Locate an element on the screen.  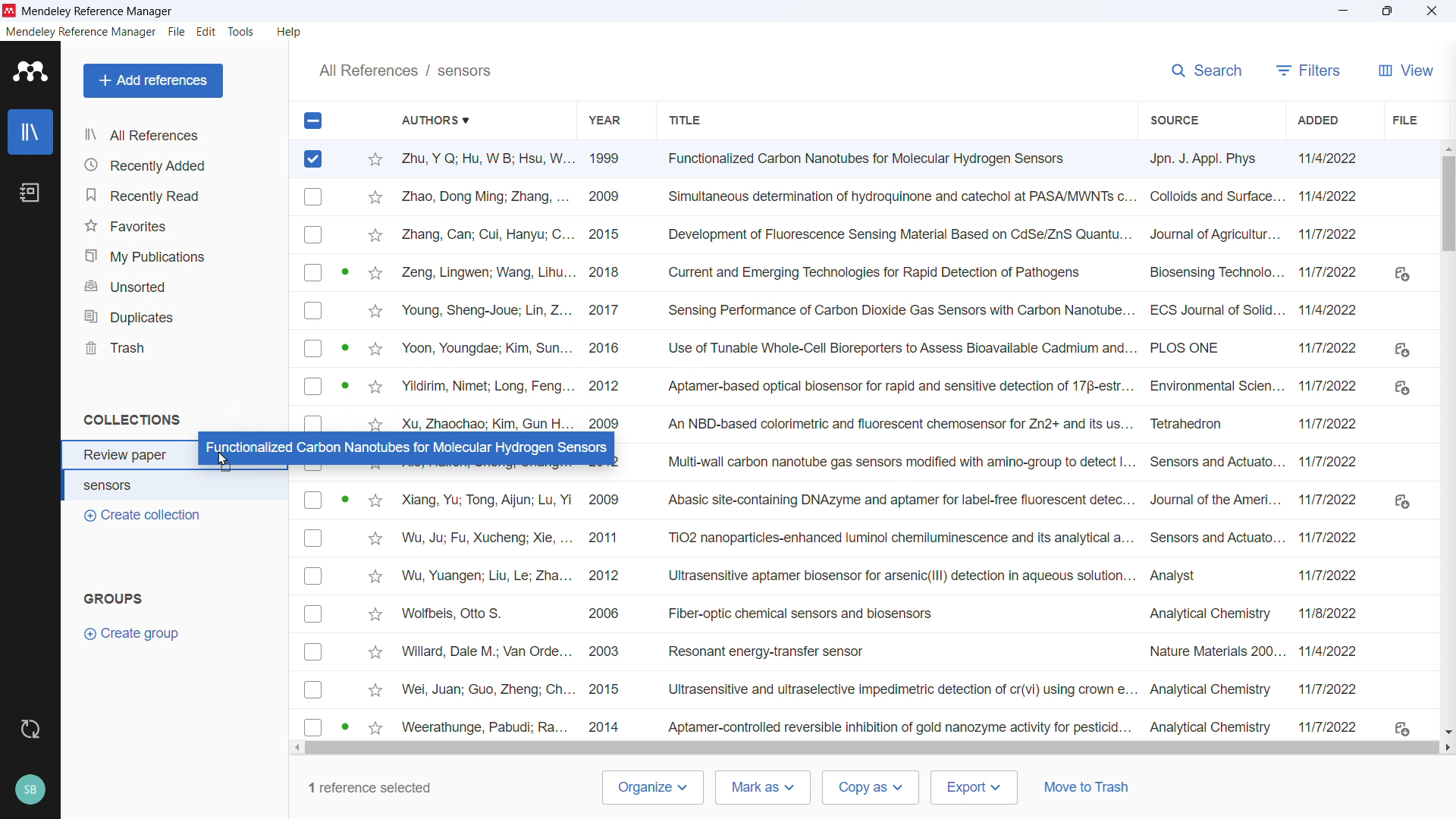
Recently added  is located at coordinates (178, 164).